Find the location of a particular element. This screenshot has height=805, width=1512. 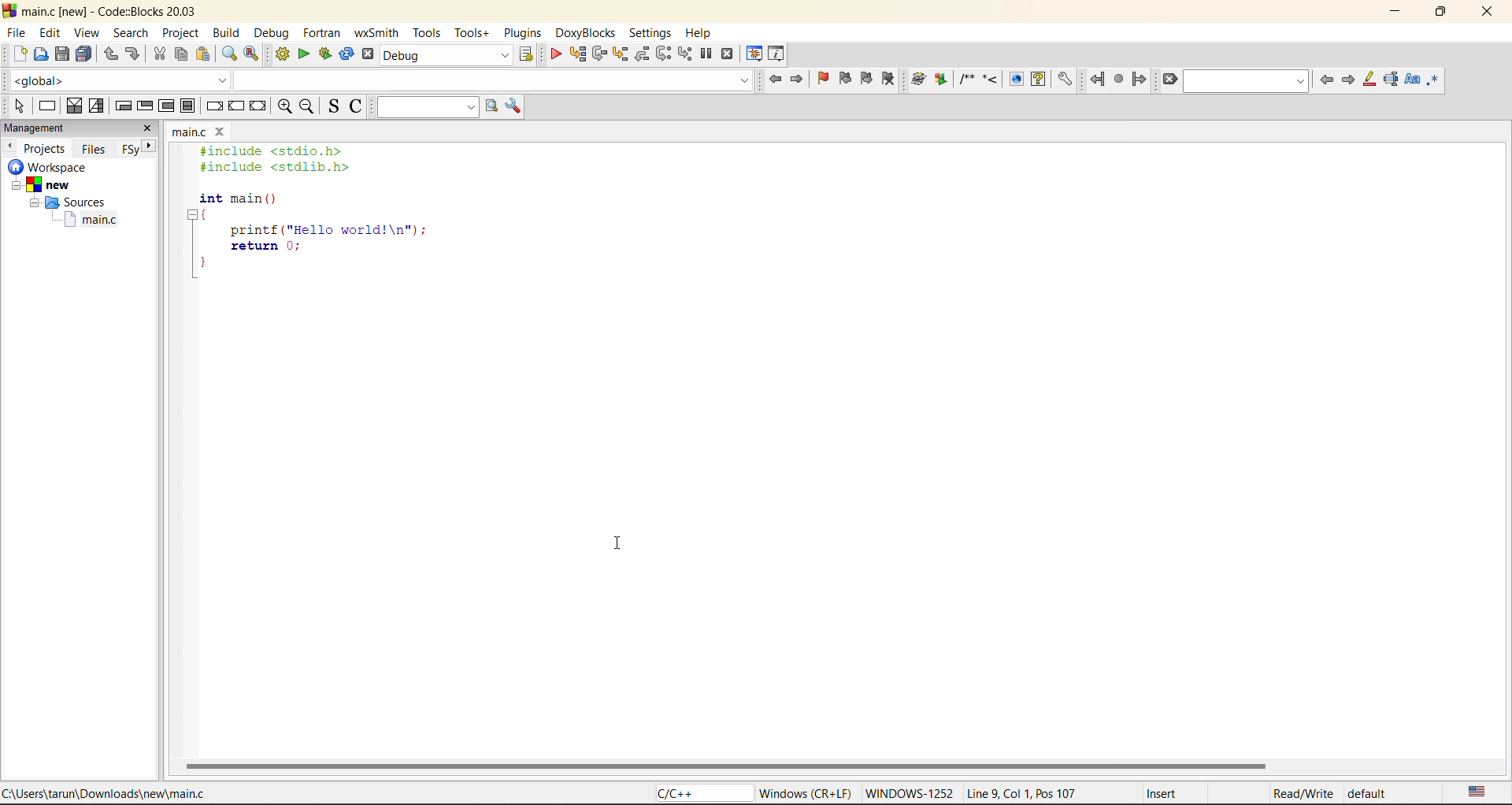

tools is located at coordinates (475, 32).